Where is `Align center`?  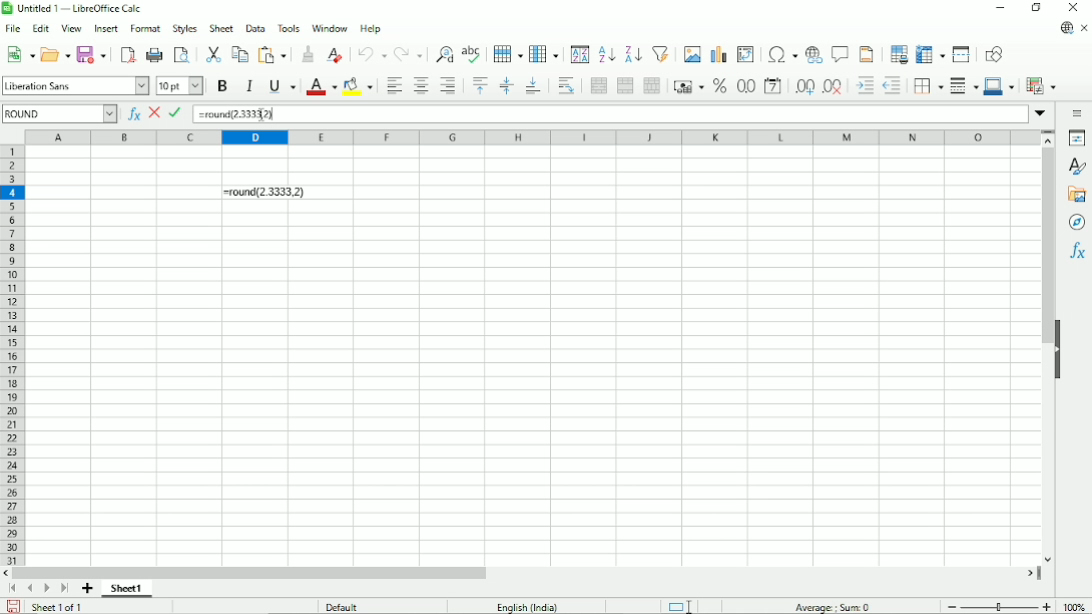 Align center is located at coordinates (421, 85).